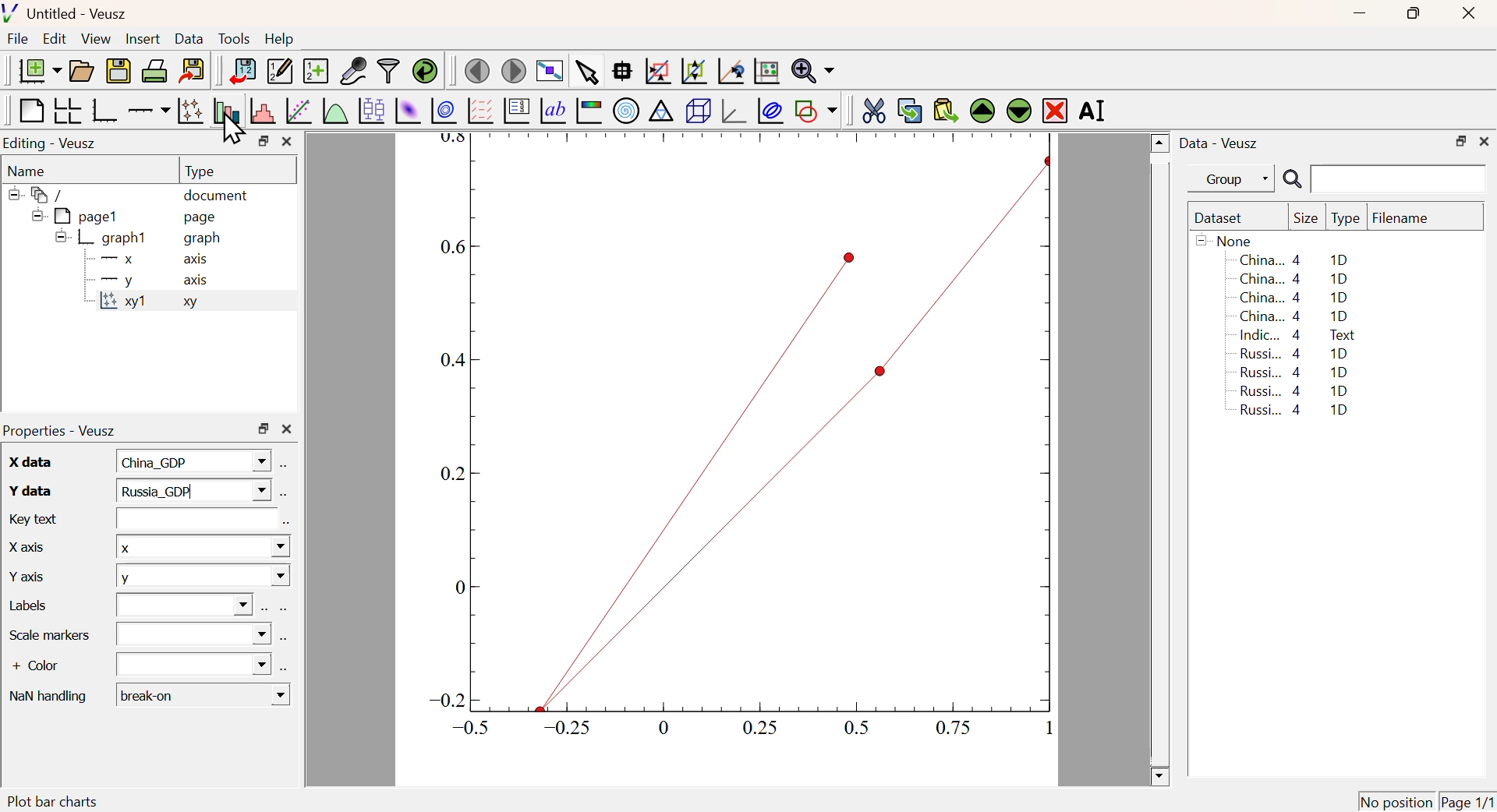 This screenshot has width=1497, height=812. Describe the element at coordinates (80, 71) in the screenshot. I see `Open a document` at that location.